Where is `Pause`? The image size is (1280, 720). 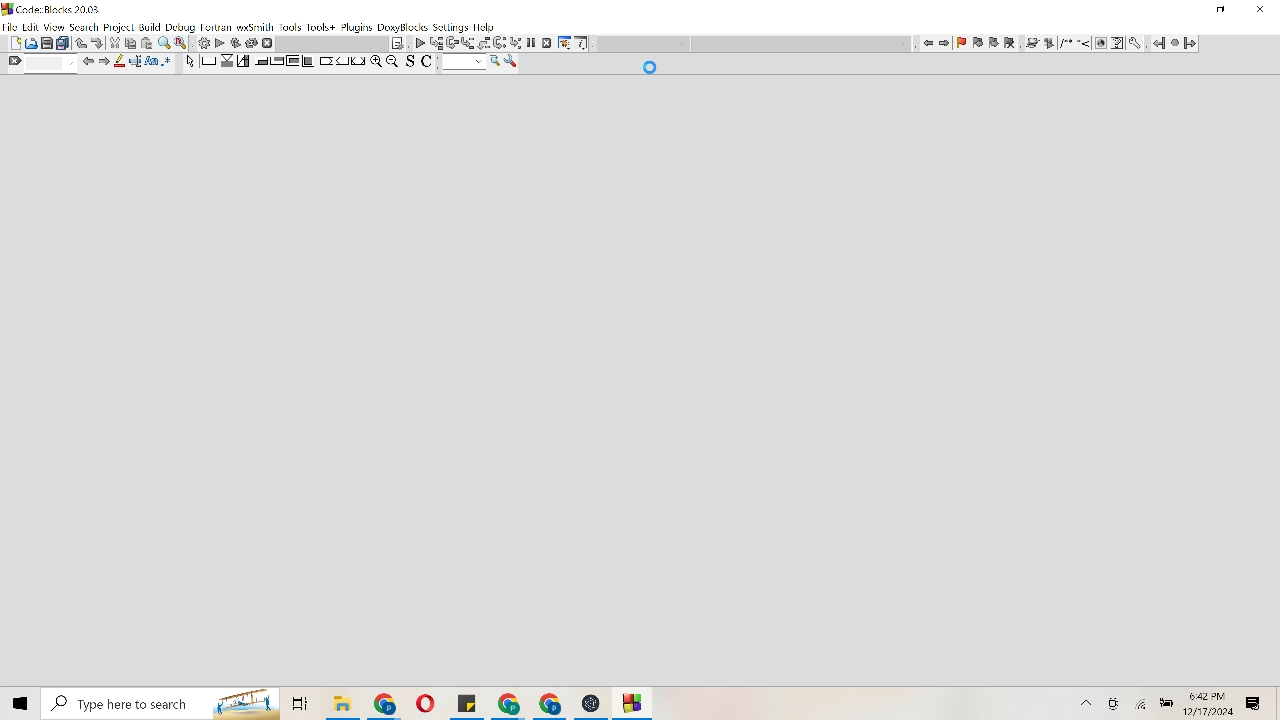
Pause is located at coordinates (530, 44).